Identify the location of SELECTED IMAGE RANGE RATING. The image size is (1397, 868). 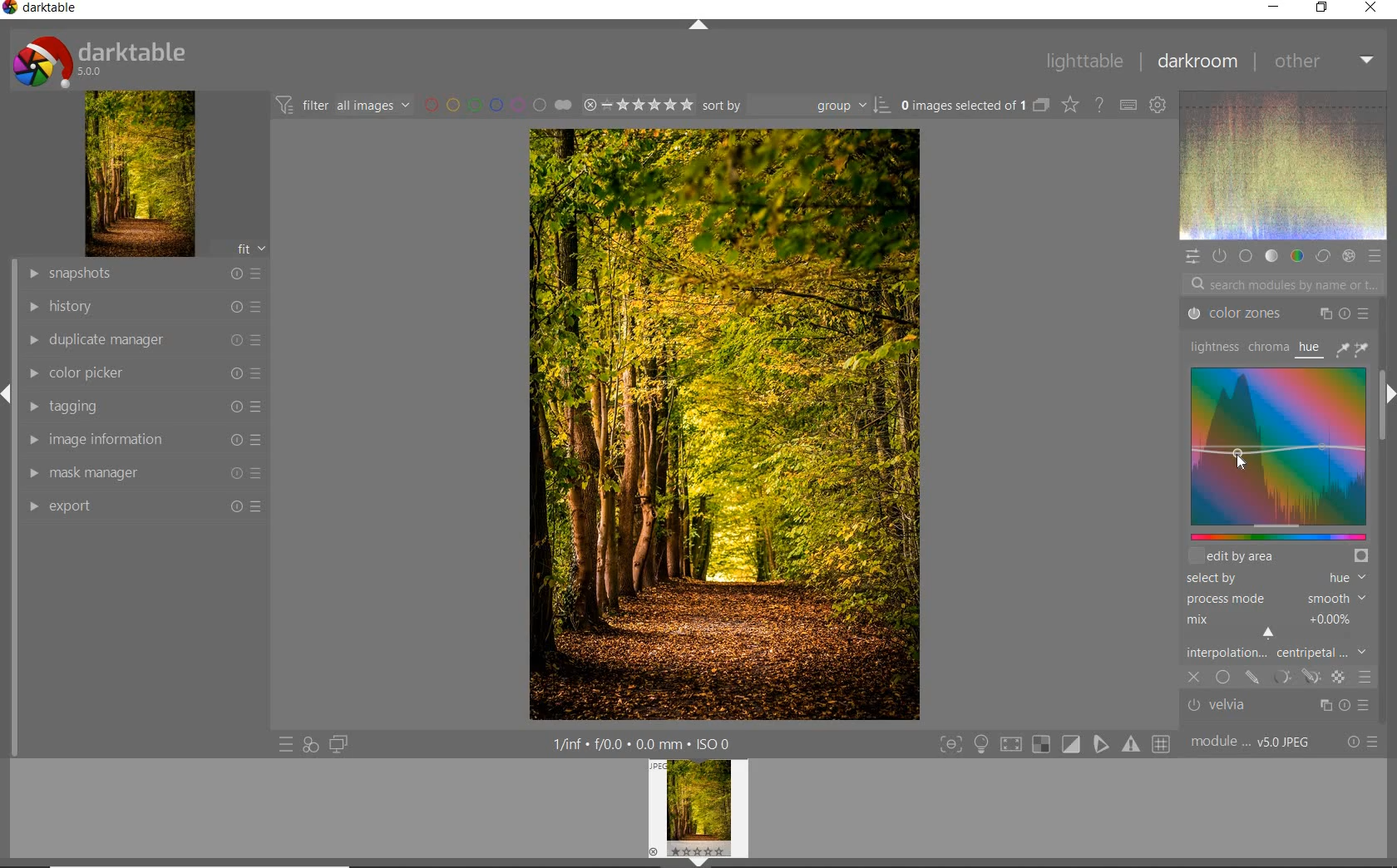
(636, 103).